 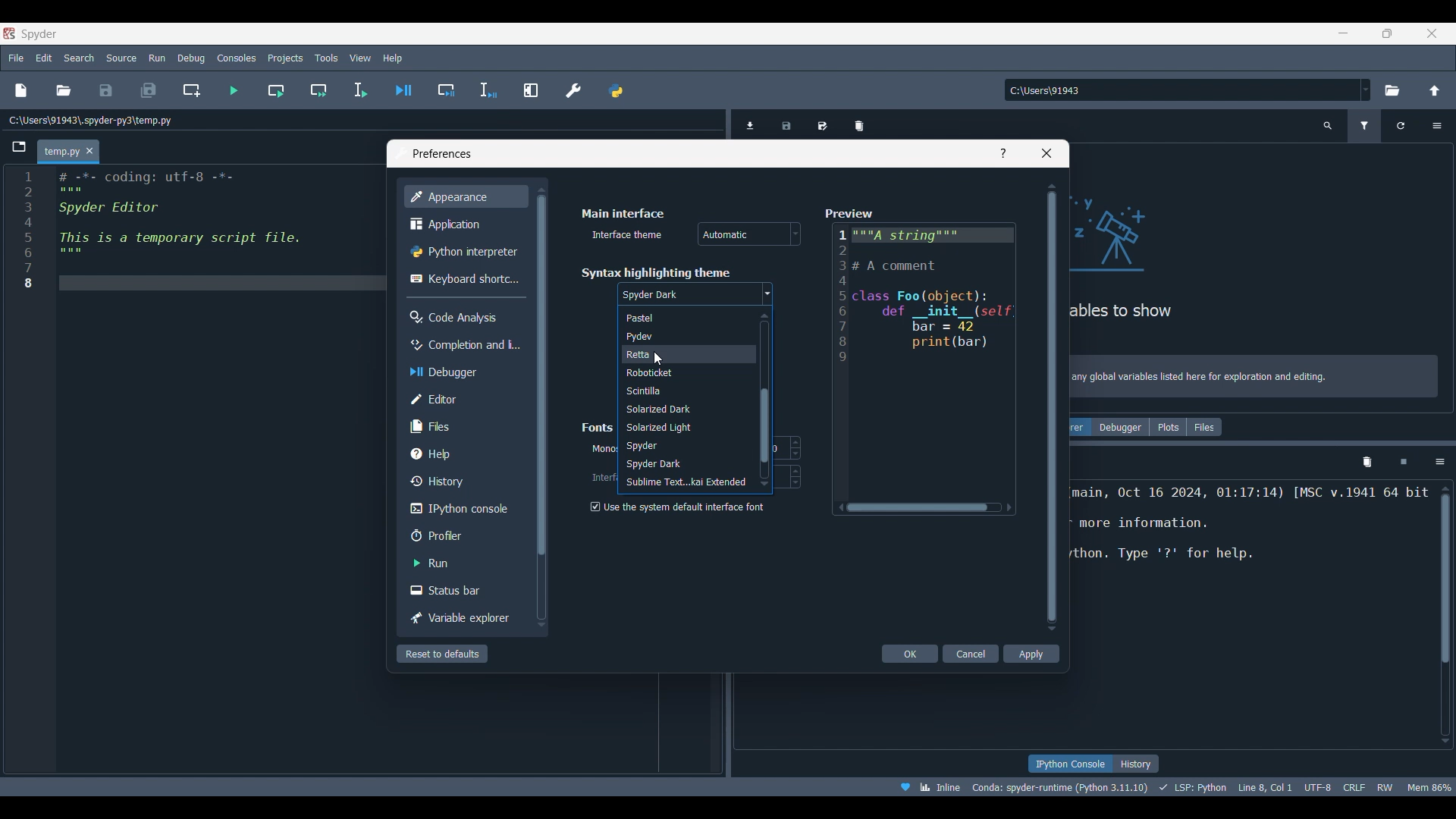 What do you see at coordinates (122, 57) in the screenshot?
I see `Source menu` at bounding box center [122, 57].